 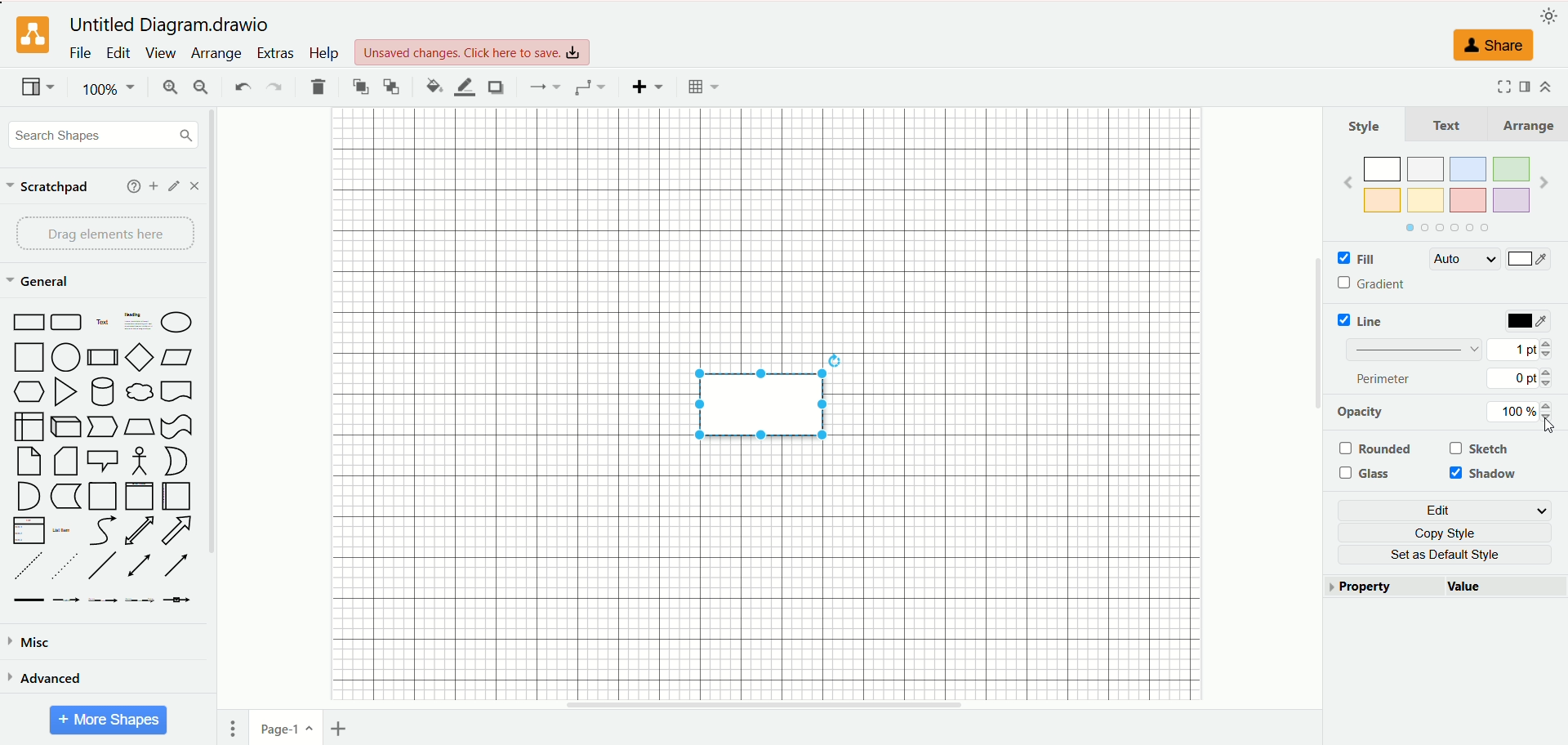 What do you see at coordinates (766, 401) in the screenshot?
I see `shape selected` at bounding box center [766, 401].